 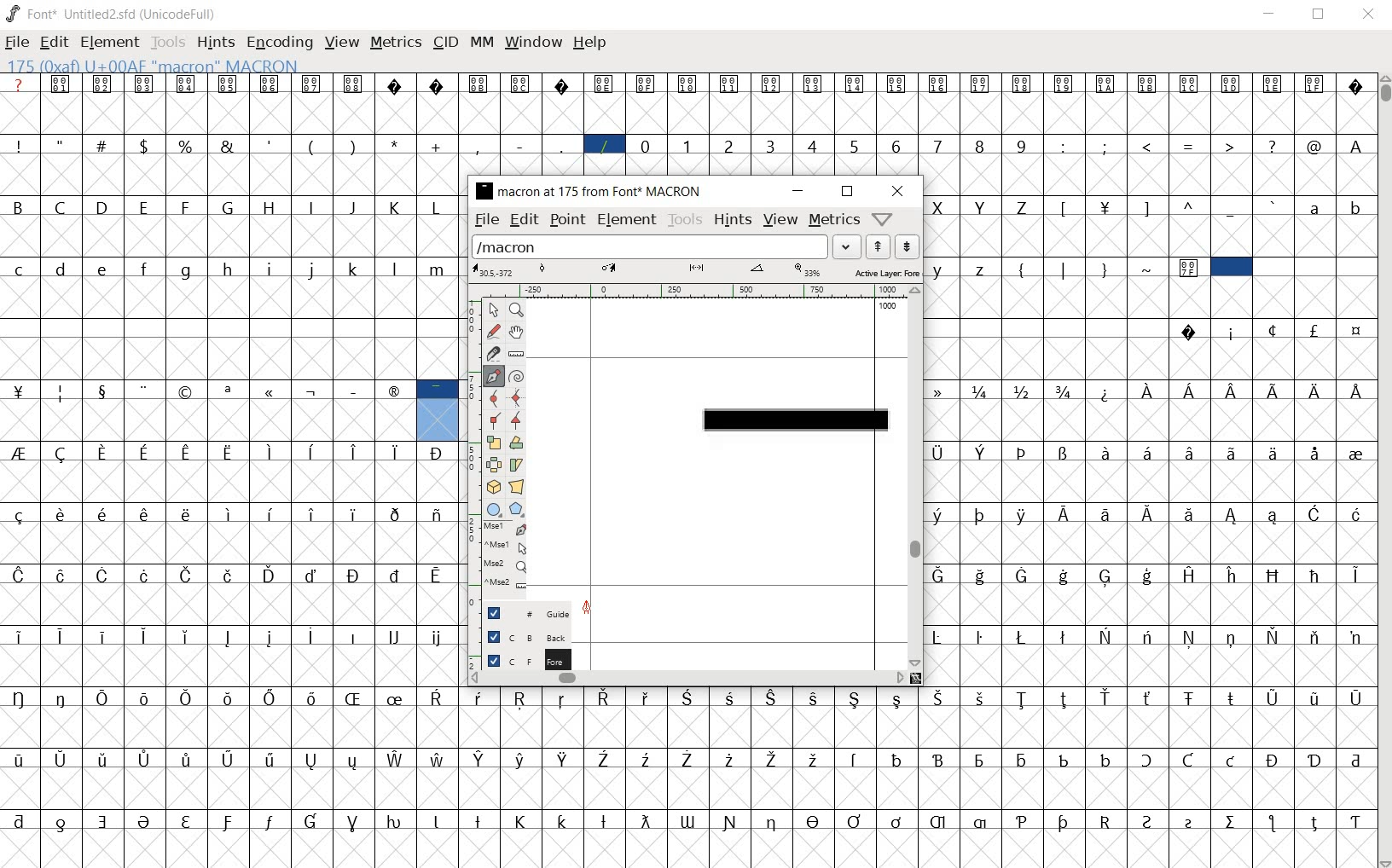 I want to click on |, so click(x=1066, y=269).